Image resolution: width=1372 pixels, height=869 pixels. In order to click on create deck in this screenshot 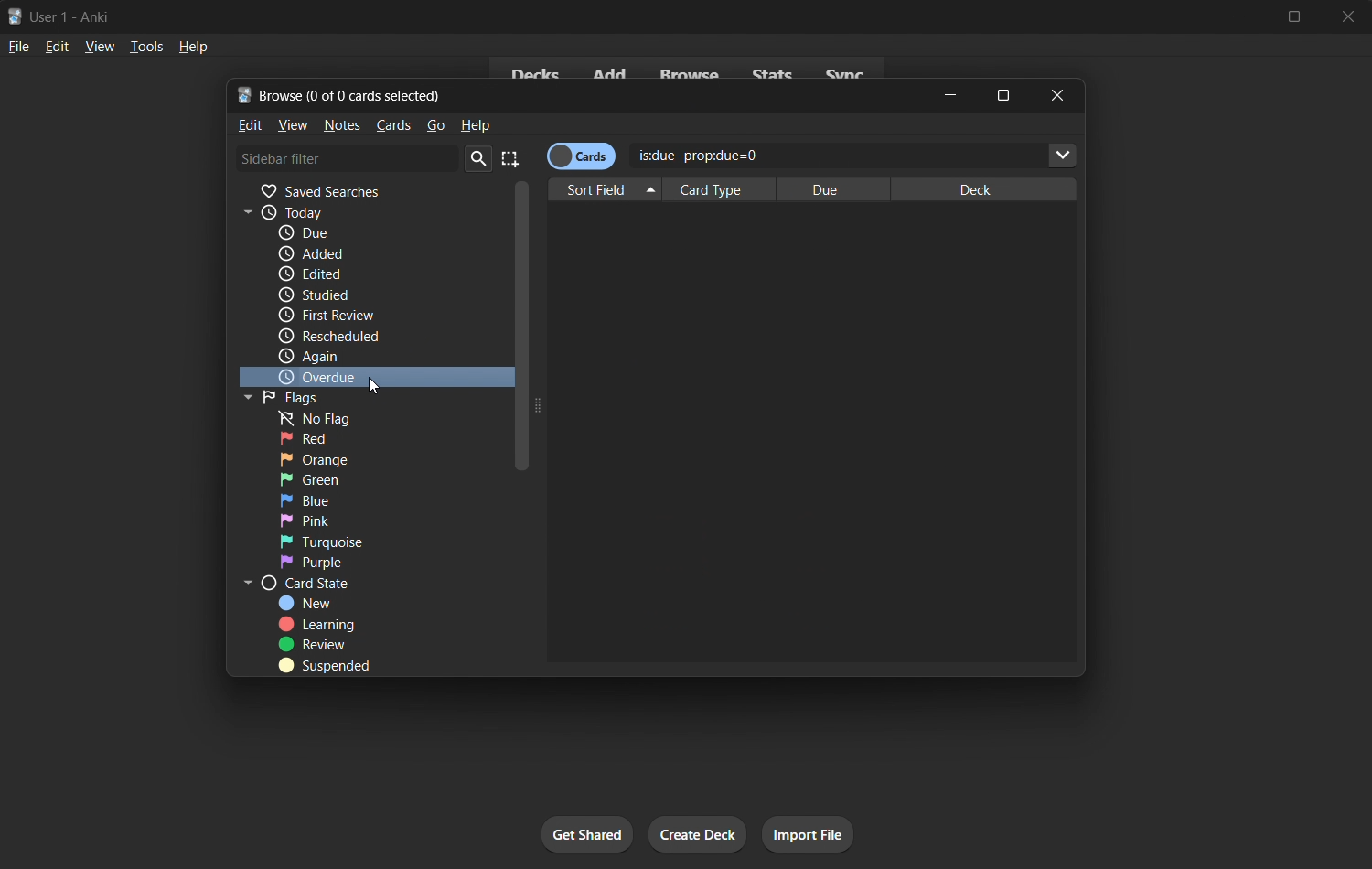, I will do `click(700, 835)`.